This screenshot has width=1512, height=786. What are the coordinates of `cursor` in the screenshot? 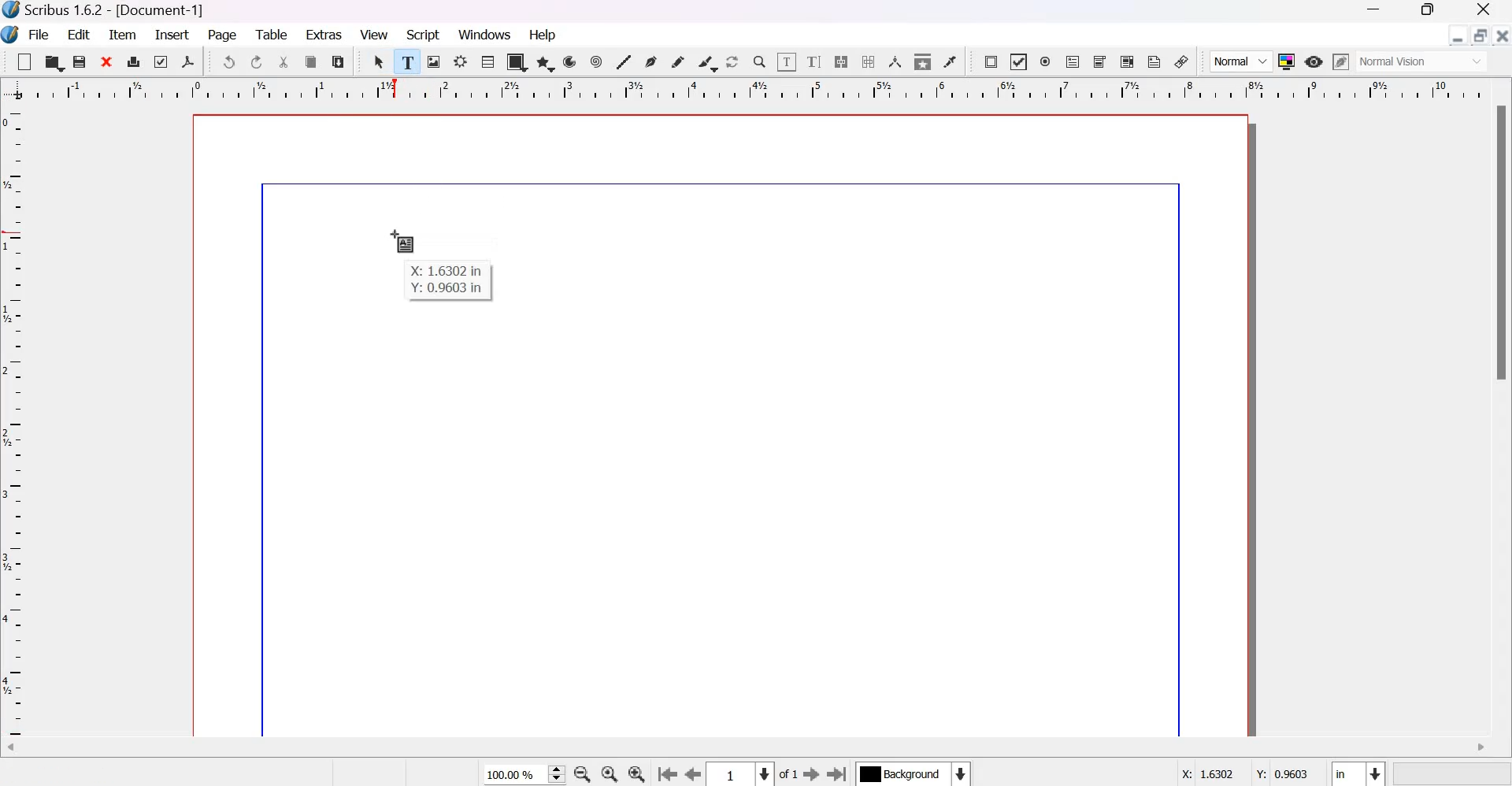 It's located at (403, 239).